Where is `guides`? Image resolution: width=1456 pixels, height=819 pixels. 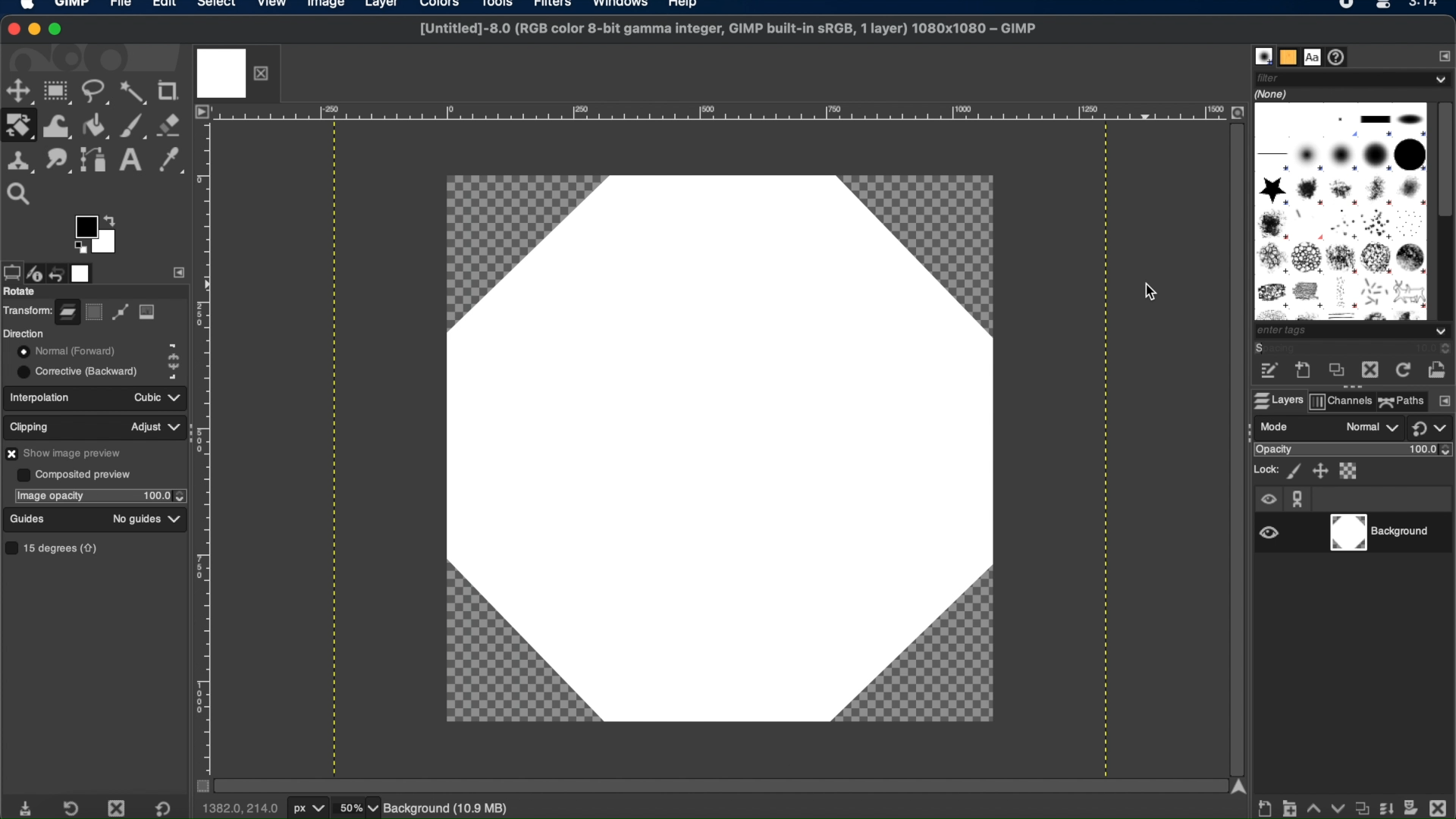 guides is located at coordinates (28, 519).